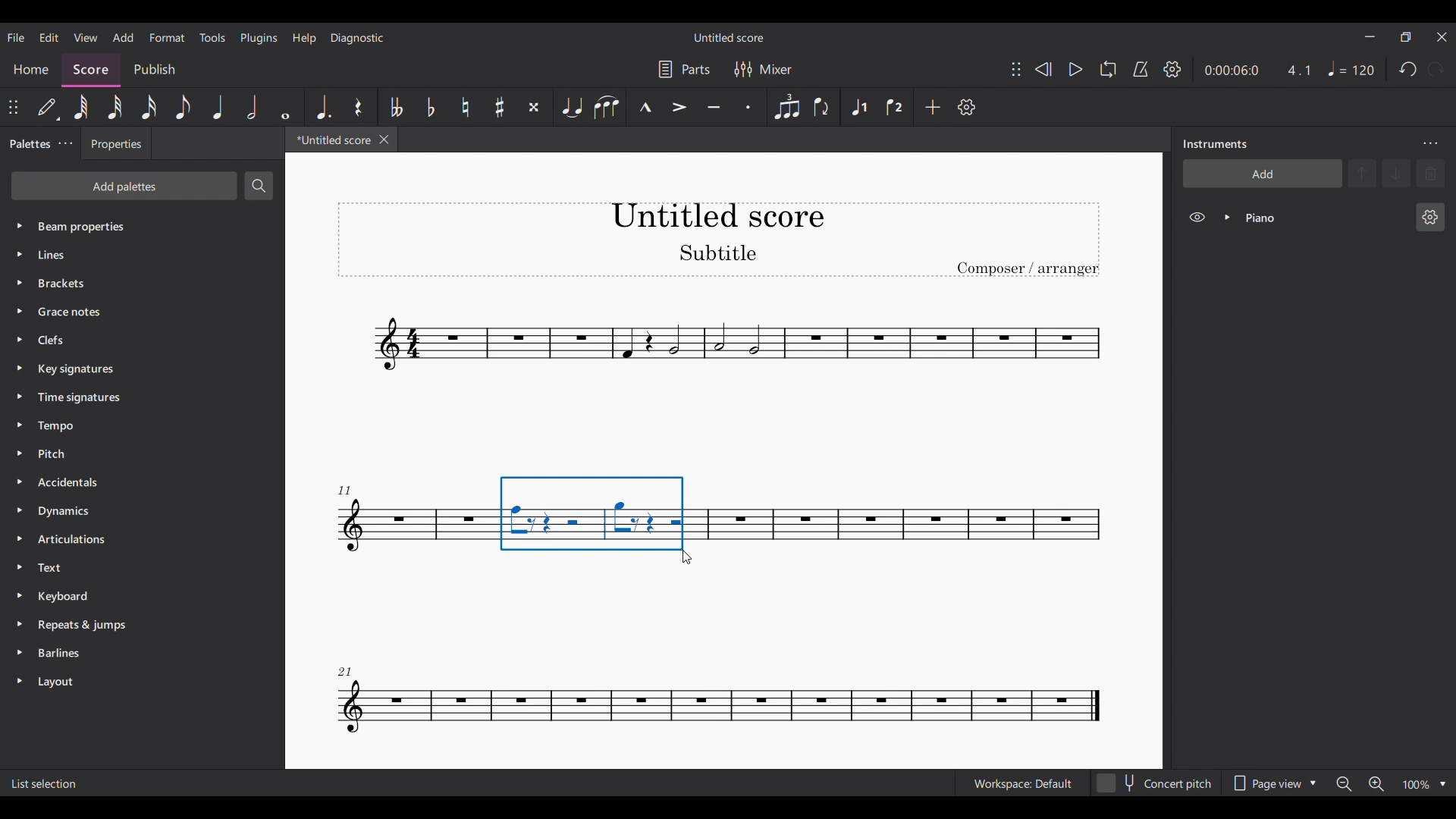 This screenshot has height=819, width=1456. Describe the element at coordinates (130, 655) in the screenshot. I see `Barlines` at that location.